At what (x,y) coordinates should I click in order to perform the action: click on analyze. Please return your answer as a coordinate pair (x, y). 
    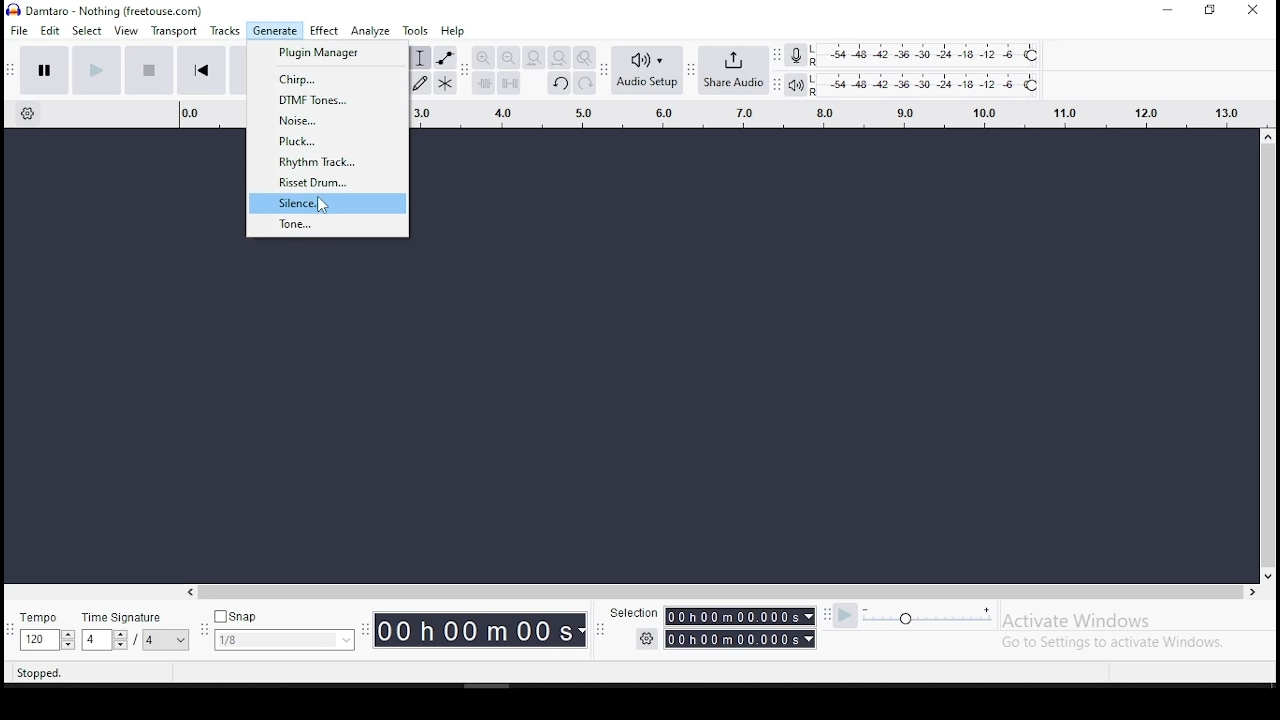
    Looking at the image, I should click on (372, 31).